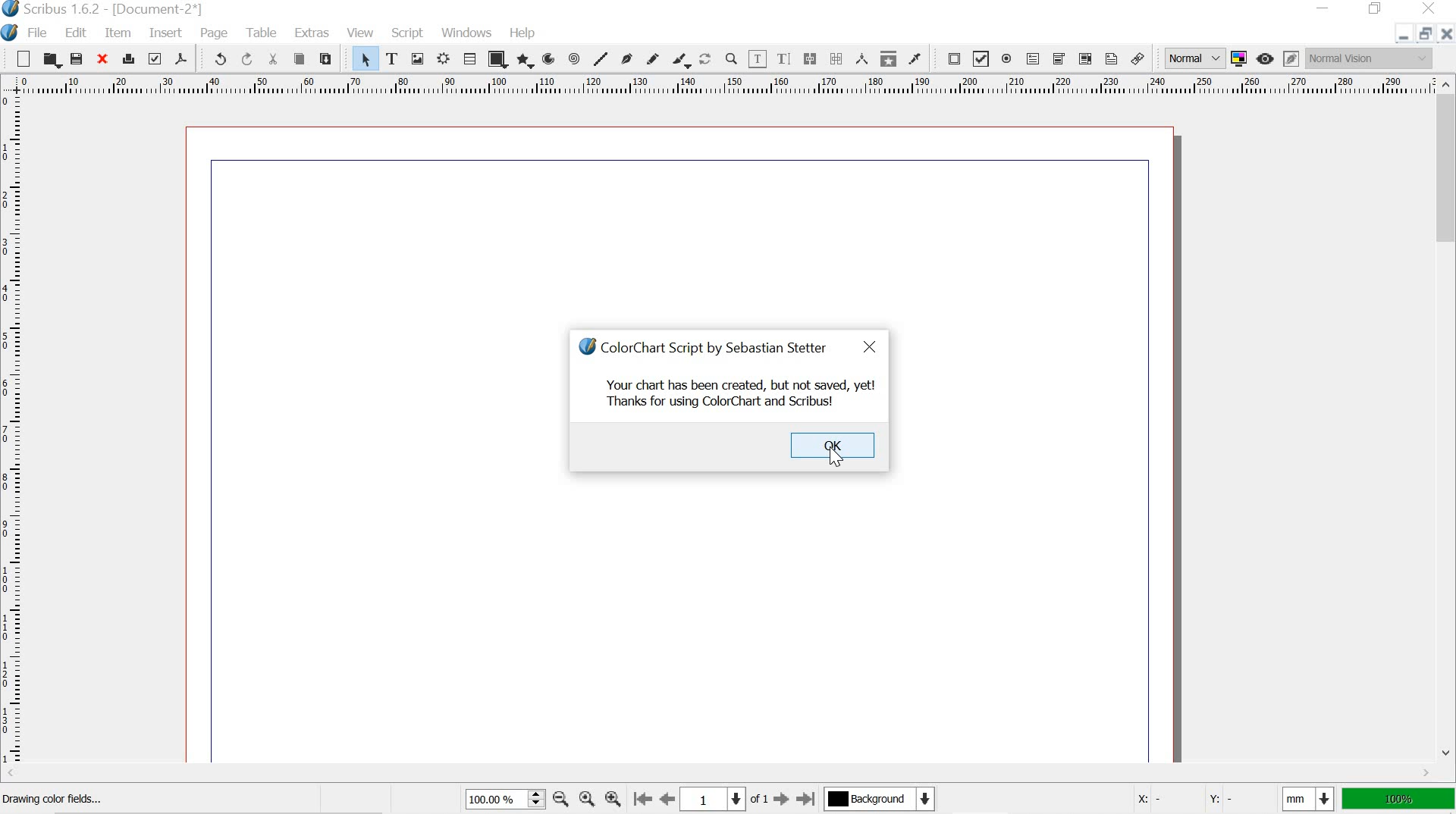 The height and width of the screenshot is (814, 1456). Describe the element at coordinates (1398, 799) in the screenshot. I see `100%` at that location.